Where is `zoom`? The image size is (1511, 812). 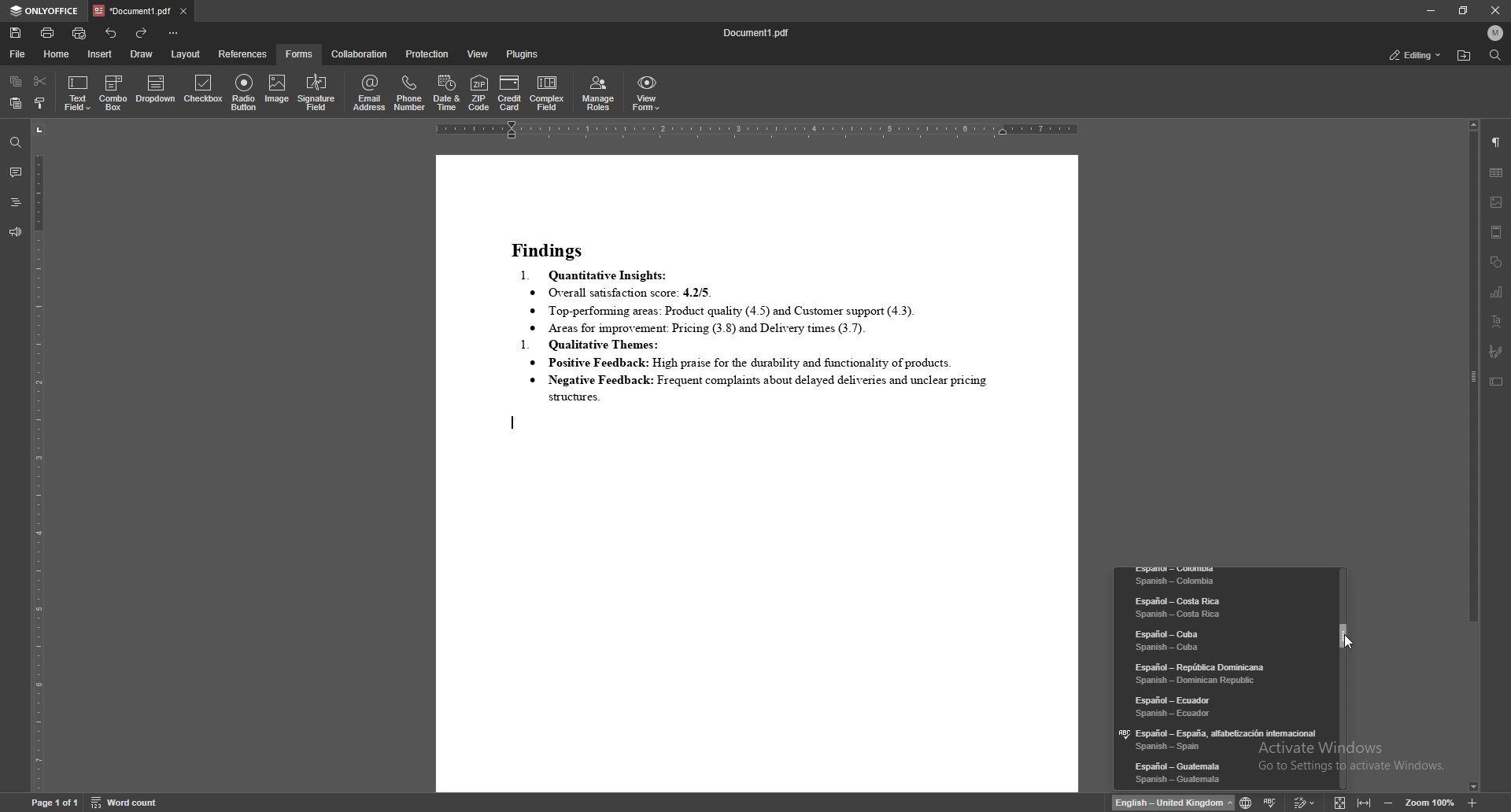
zoom is located at coordinates (1431, 802).